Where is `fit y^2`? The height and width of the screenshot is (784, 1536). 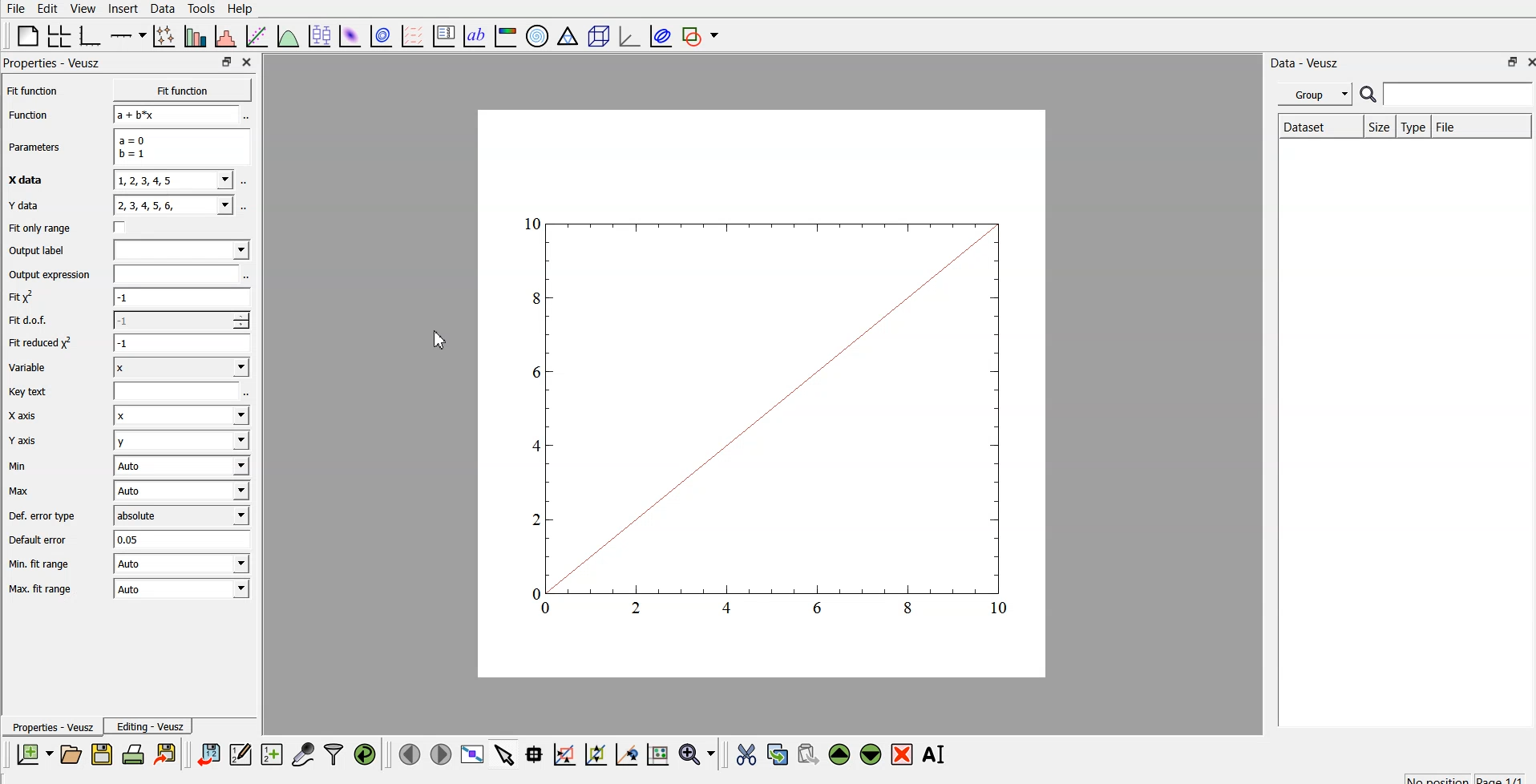 fit y^2 is located at coordinates (38, 298).